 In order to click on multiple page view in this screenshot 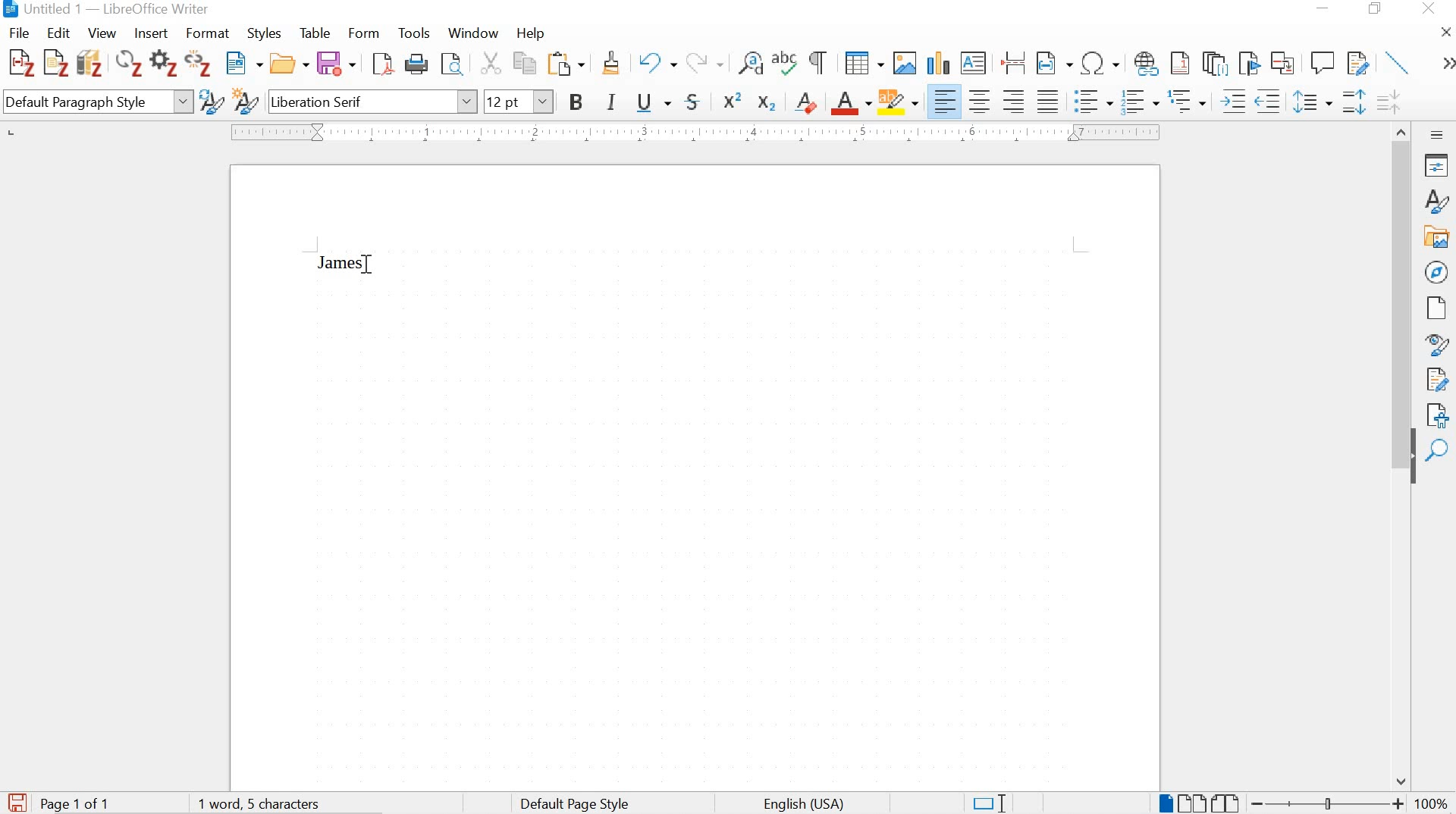, I will do `click(1191, 803)`.